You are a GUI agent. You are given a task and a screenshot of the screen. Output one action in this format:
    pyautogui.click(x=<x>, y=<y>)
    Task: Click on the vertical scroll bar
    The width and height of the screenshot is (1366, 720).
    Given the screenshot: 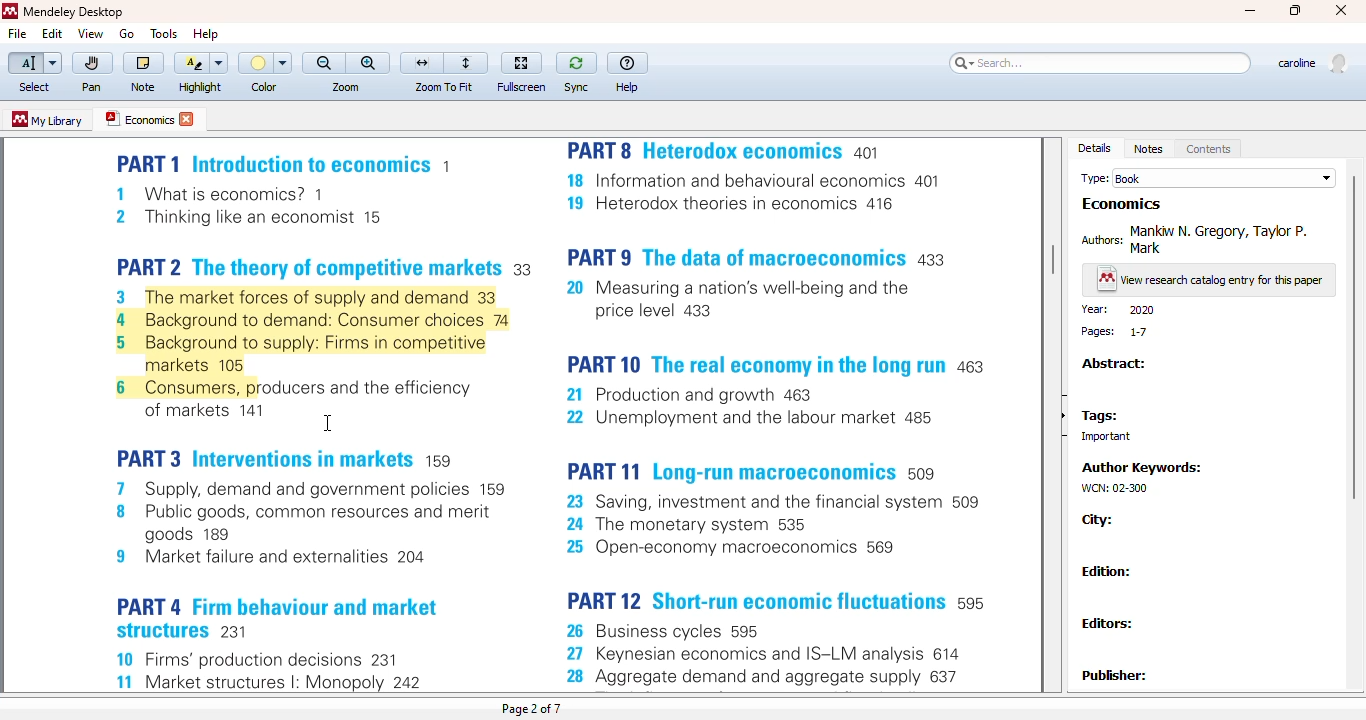 What is the action you would take?
    pyautogui.click(x=1053, y=261)
    